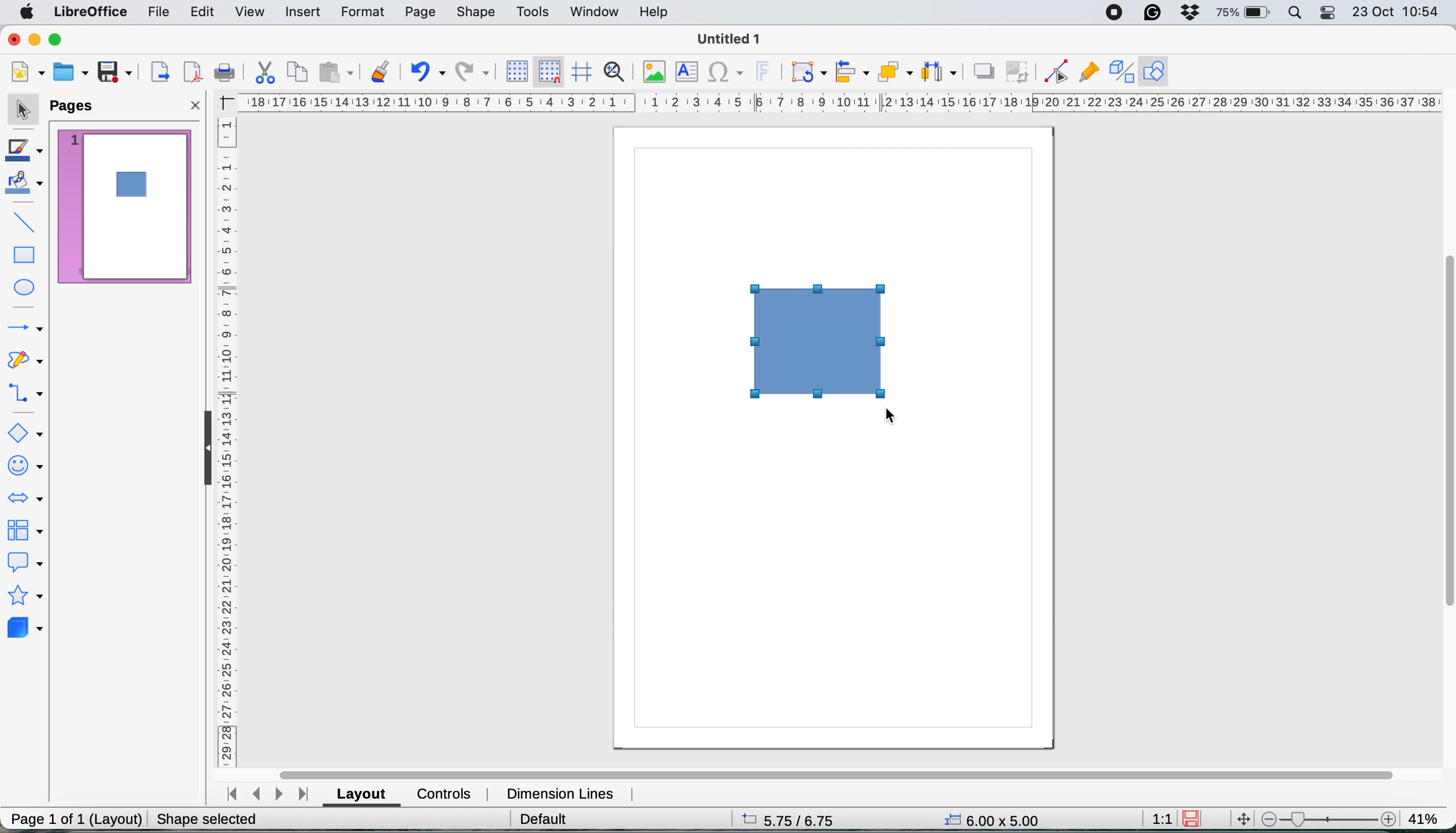 The image size is (1456, 833). Describe the element at coordinates (1244, 819) in the screenshot. I see `move` at that location.